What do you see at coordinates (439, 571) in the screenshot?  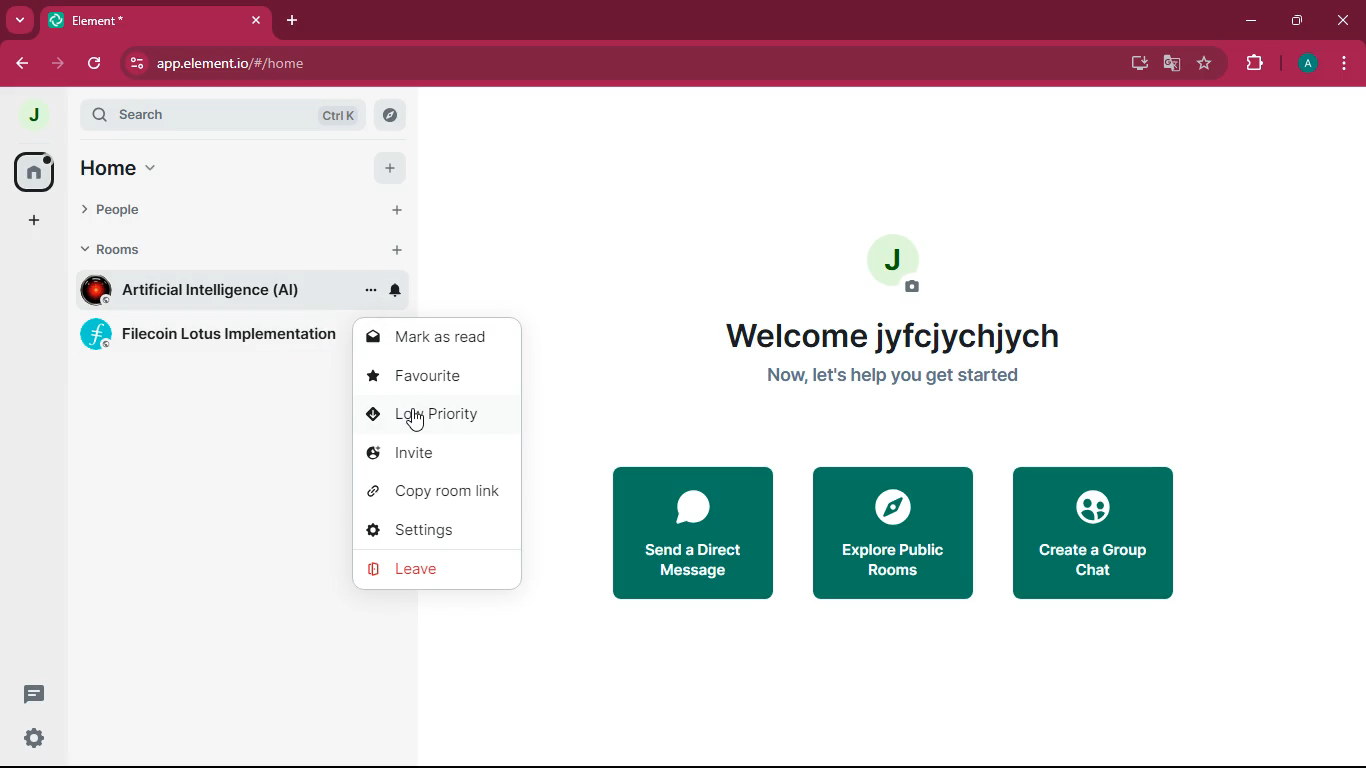 I see `leave` at bounding box center [439, 571].